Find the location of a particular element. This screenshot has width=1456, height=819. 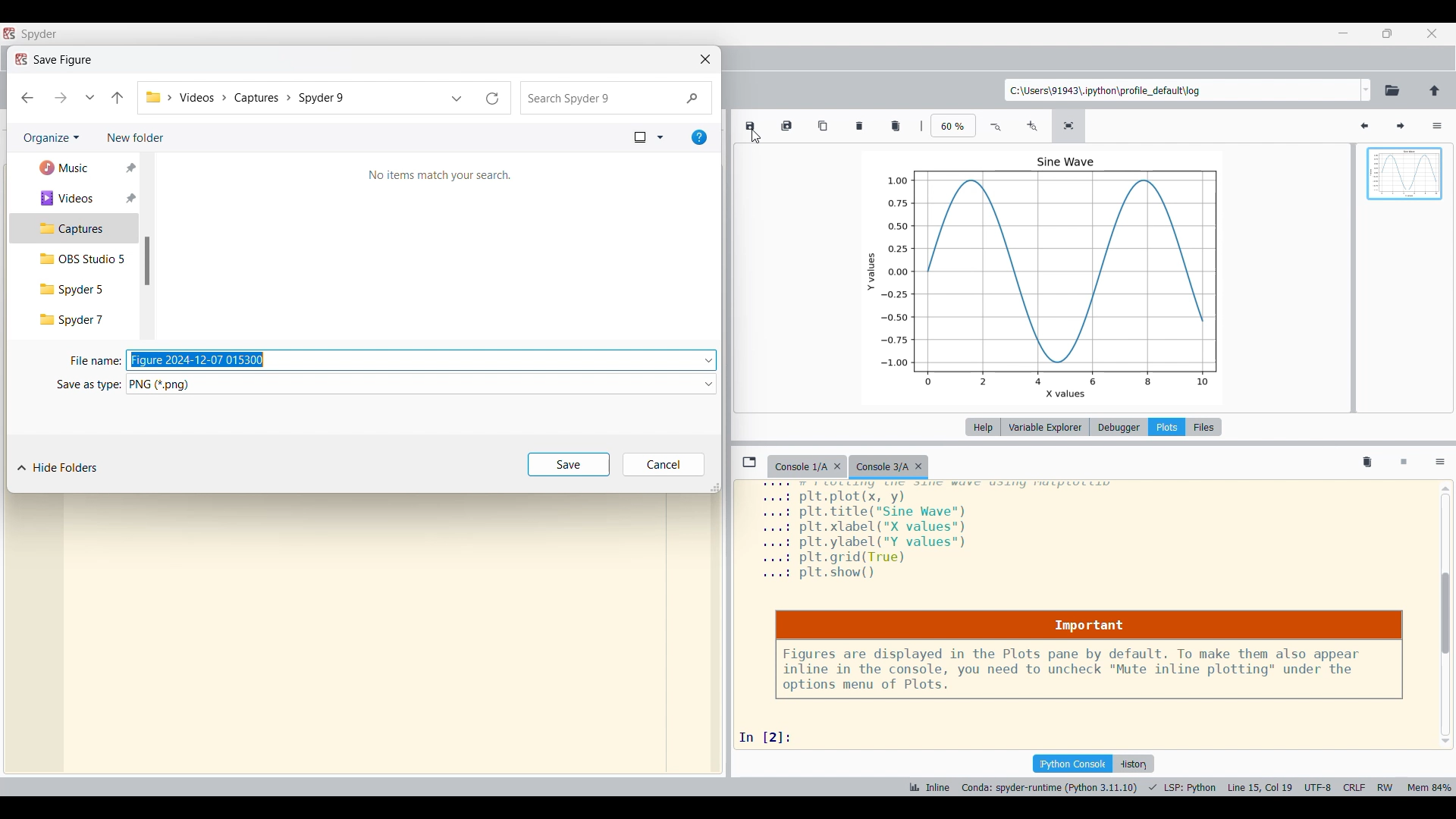

PROGRAMMING LANGUAGE is located at coordinates (1183, 787).